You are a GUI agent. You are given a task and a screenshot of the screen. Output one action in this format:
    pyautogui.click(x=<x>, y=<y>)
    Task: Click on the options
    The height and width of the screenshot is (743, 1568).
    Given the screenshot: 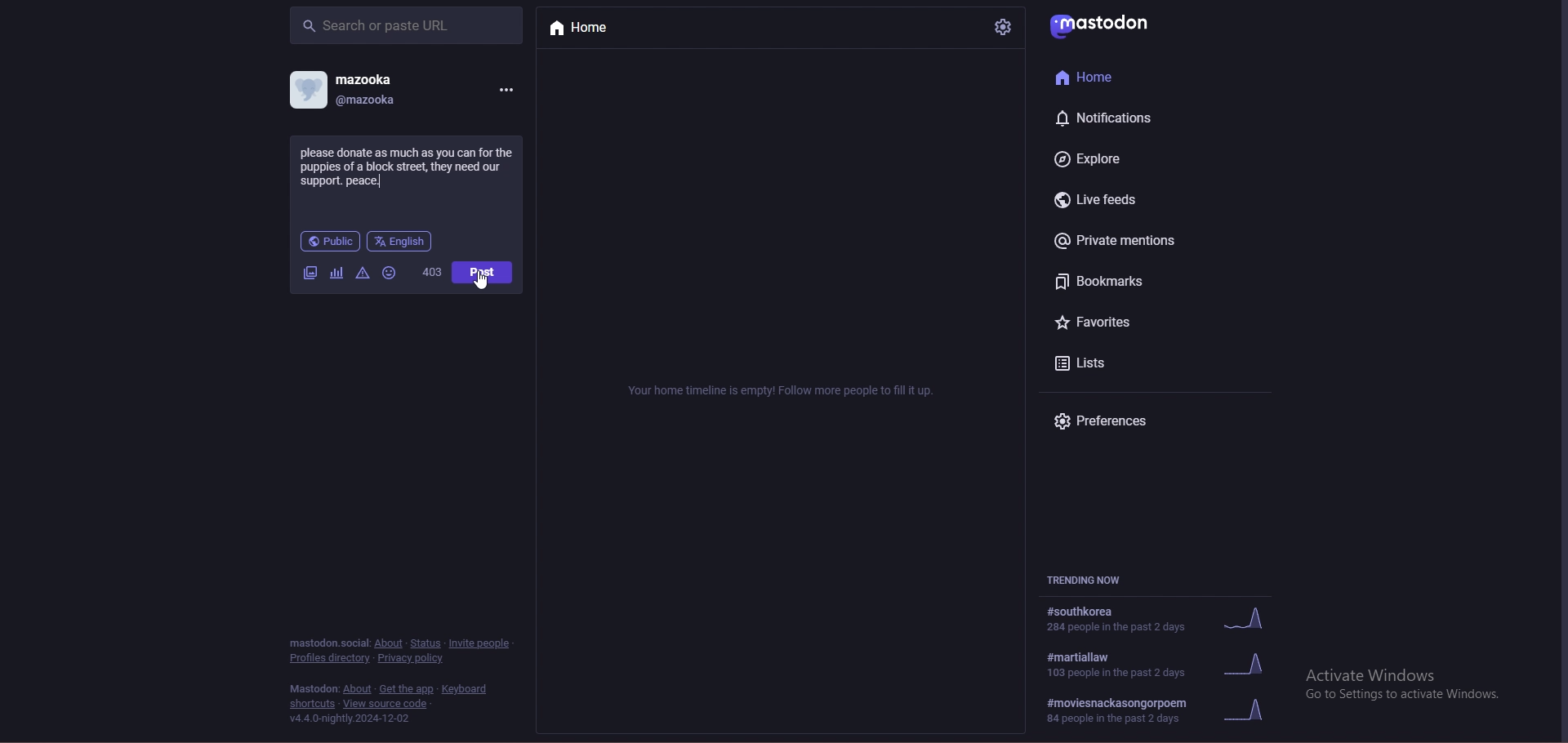 What is the action you would take?
    pyautogui.click(x=510, y=89)
    